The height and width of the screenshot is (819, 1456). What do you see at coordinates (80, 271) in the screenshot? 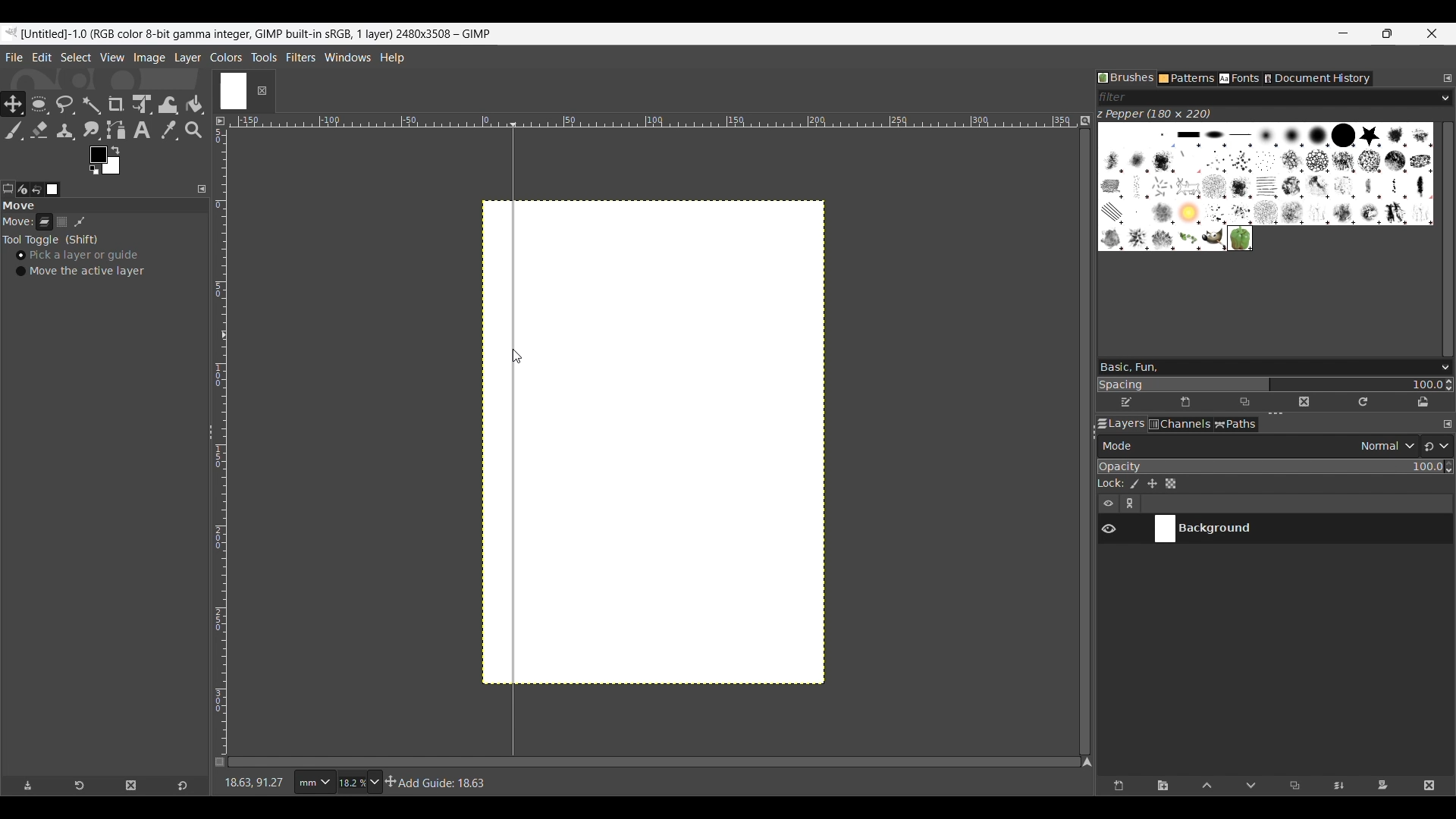
I see `Move the active layer toggle` at bounding box center [80, 271].